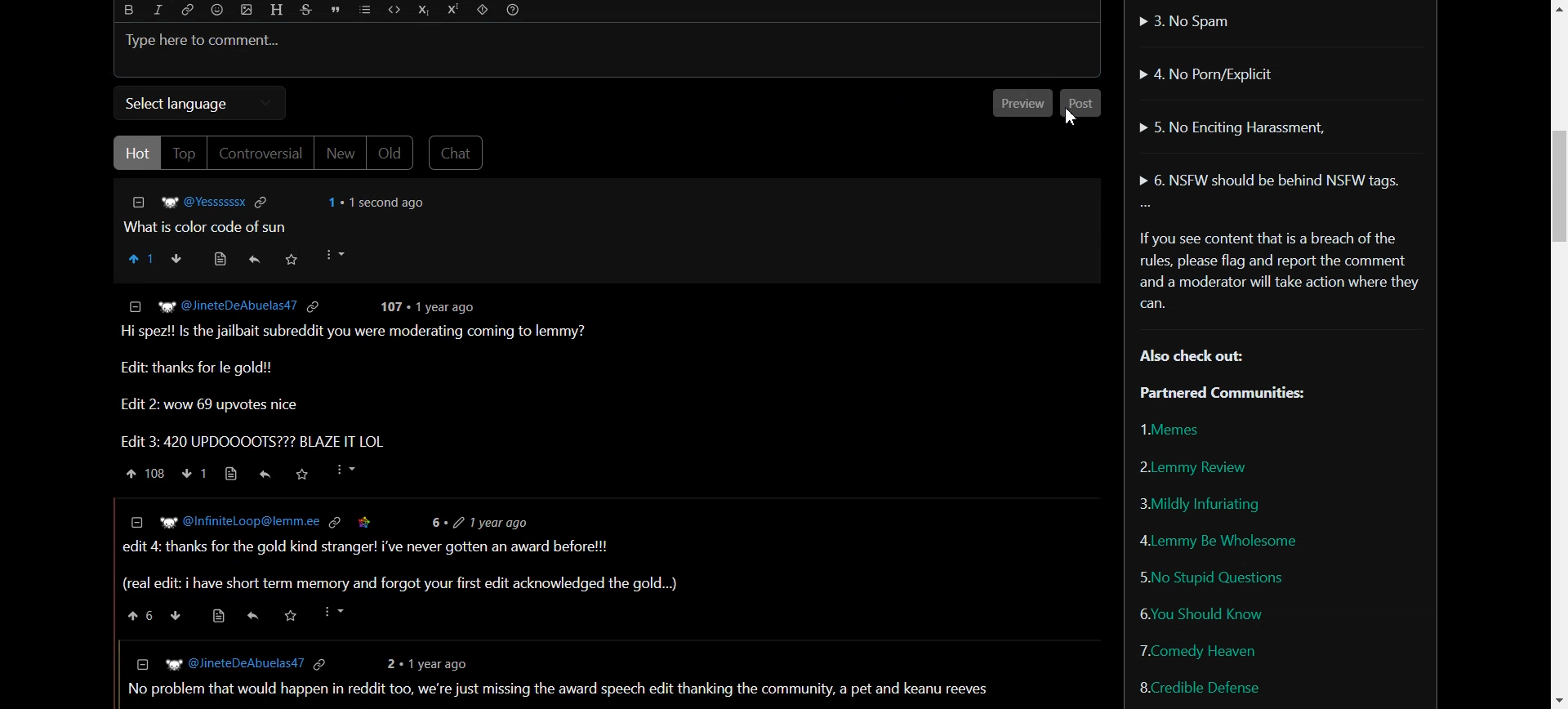  I want to click on collapse, so click(140, 665).